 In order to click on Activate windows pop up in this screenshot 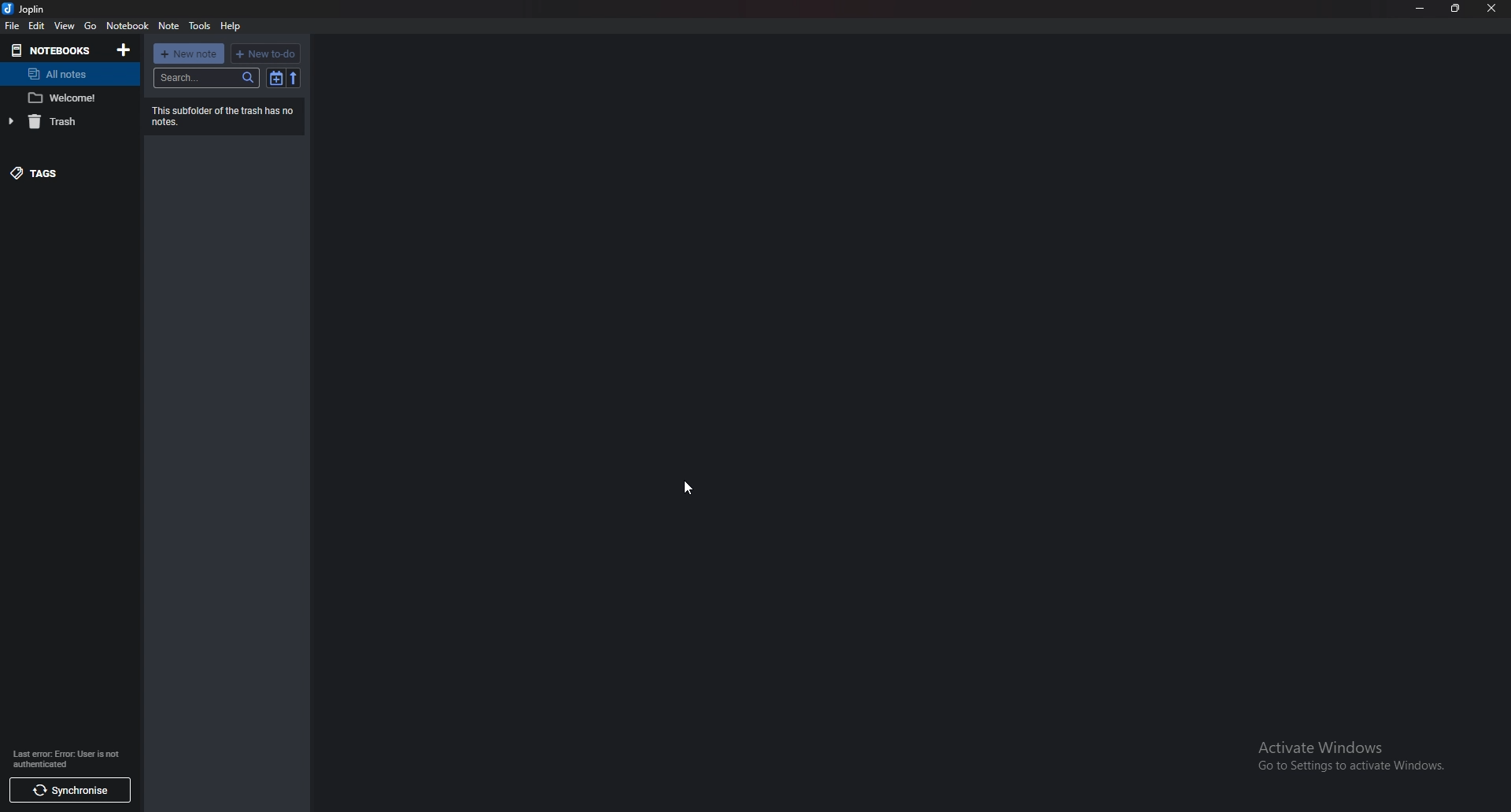, I will do `click(1359, 756)`.